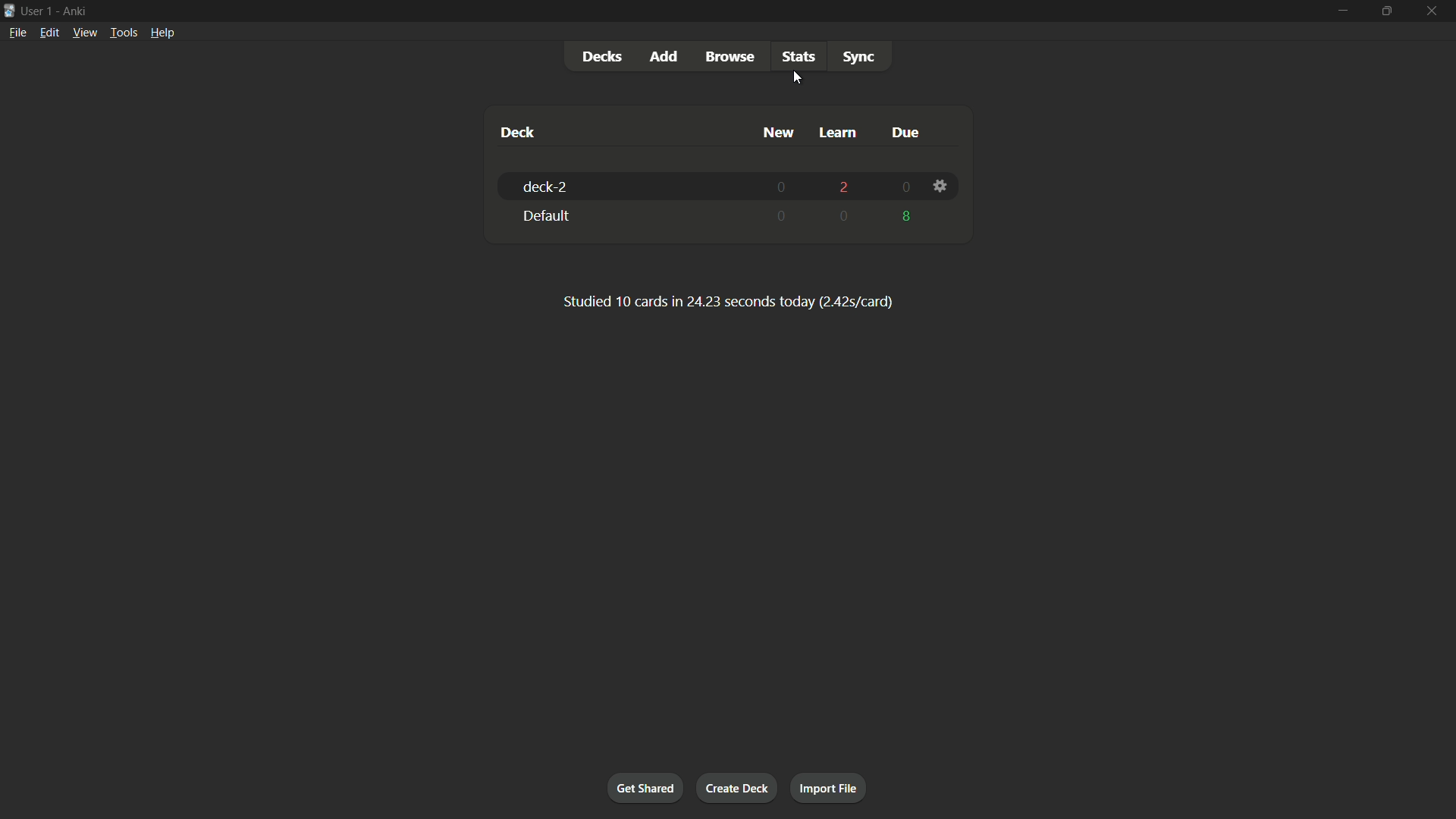 This screenshot has width=1456, height=819. What do you see at coordinates (904, 188) in the screenshot?
I see `0` at bounding box center [904, 188].